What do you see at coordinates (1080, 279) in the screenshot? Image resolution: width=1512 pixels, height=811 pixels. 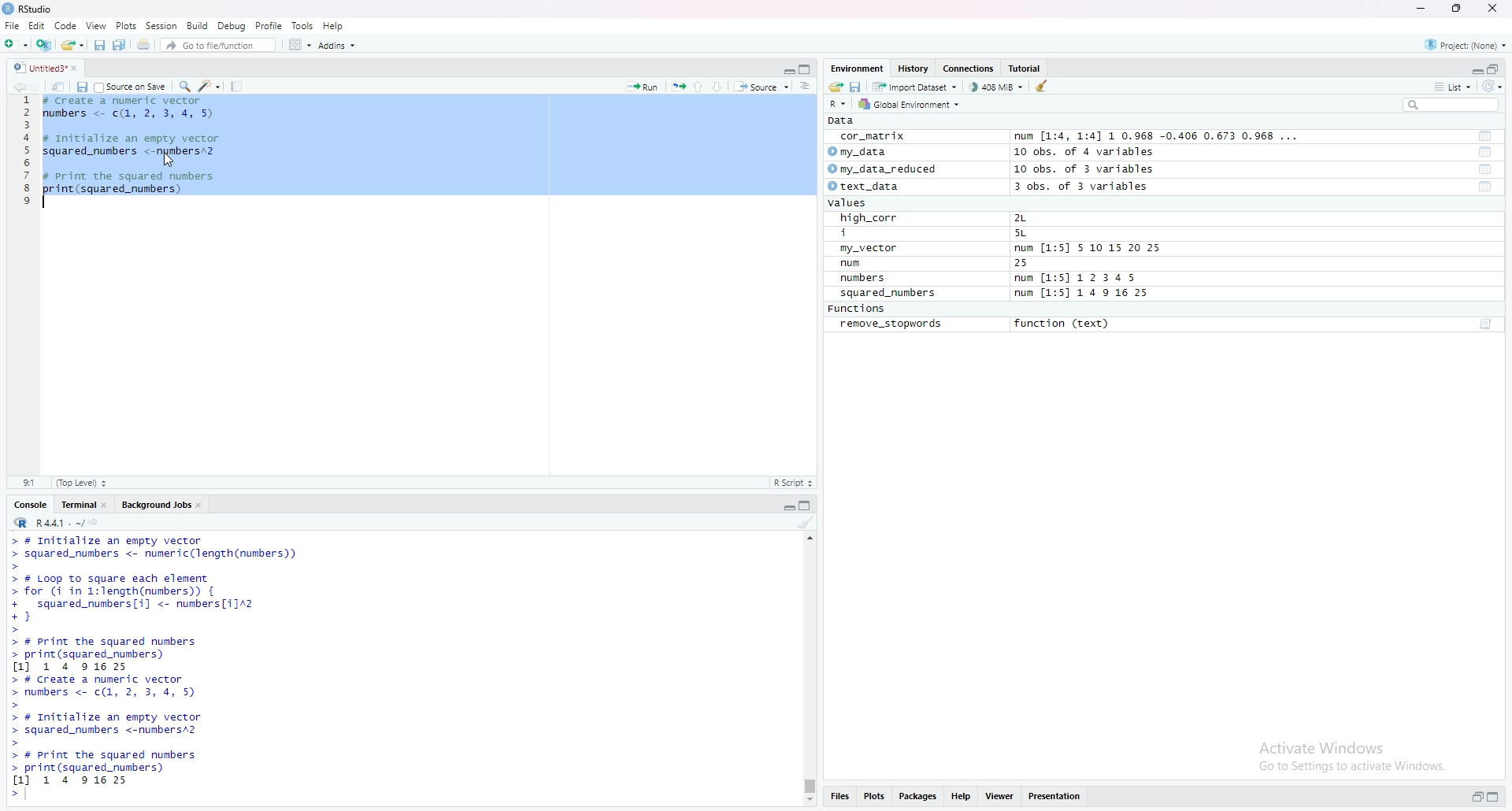 I see `num [1:5] 1 2 345` at bounding box center [1080, 279].